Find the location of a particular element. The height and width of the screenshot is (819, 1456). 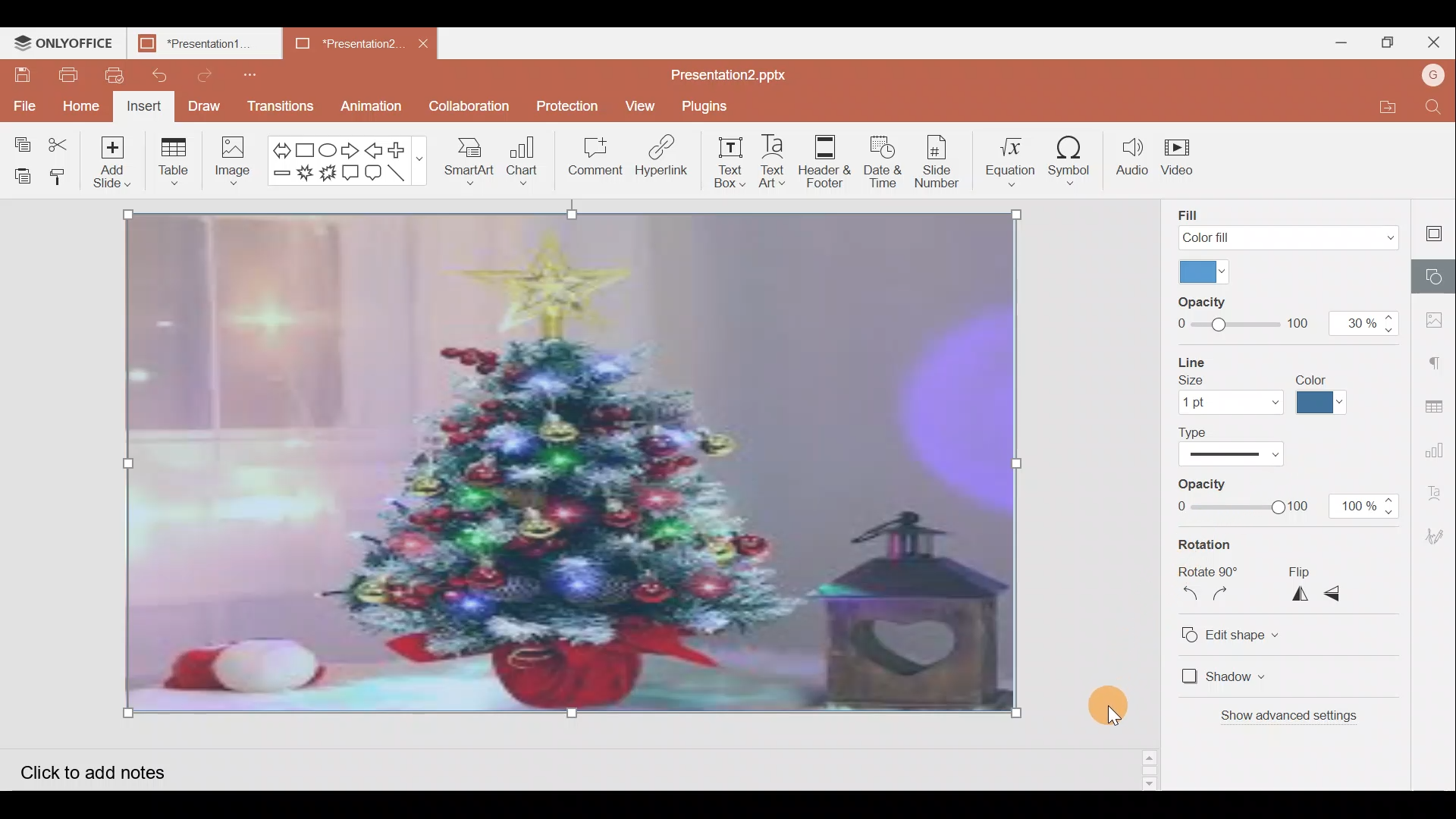

Customize quick access toolbar is located at coordinates (246, 72).